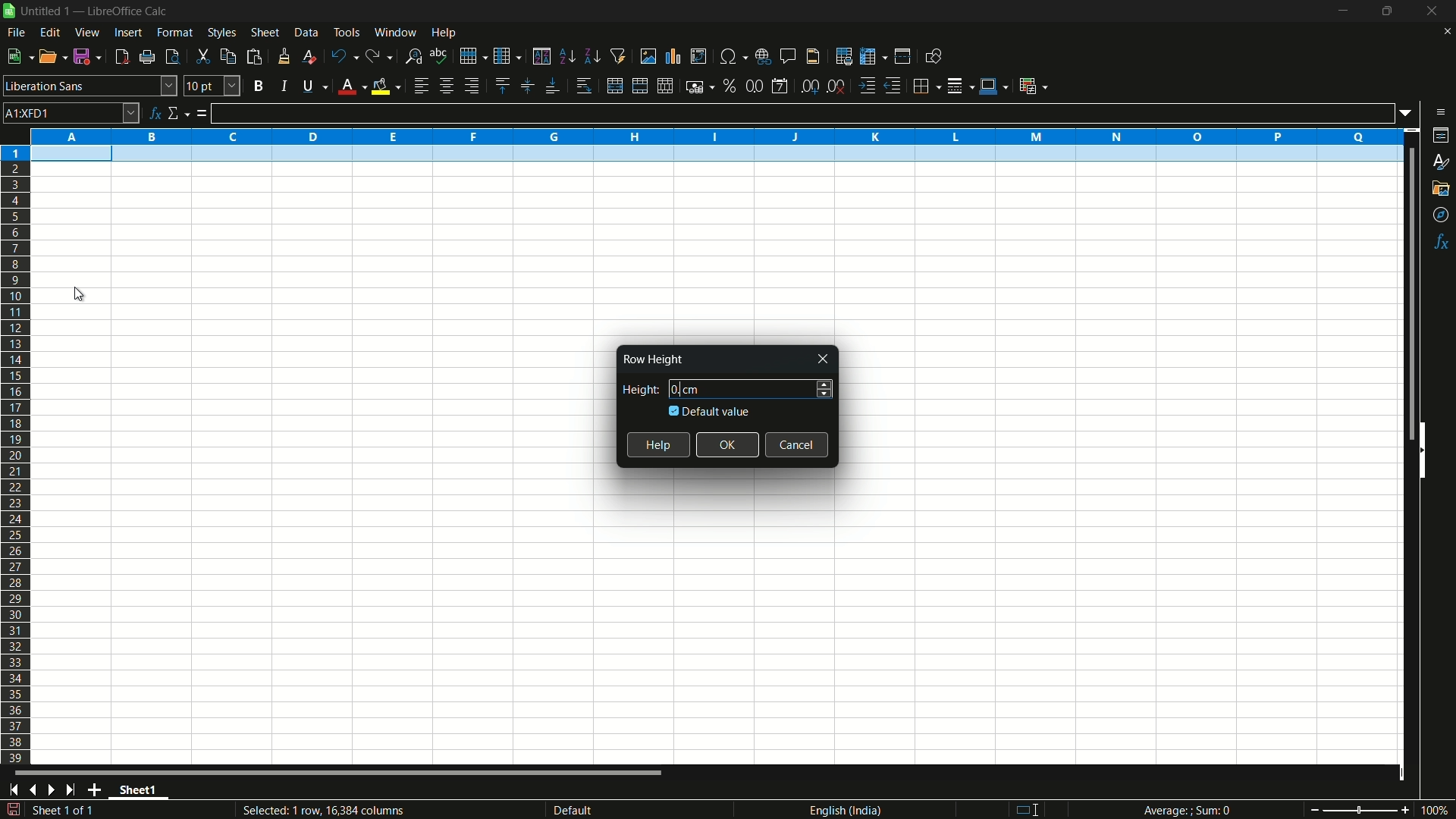 Image resolution: width=1456 pixels, height=819 pixels. What do you see at coordinates (789, 56) in the screenshot?
I see `insert comment` at bounding box center [789, 56].